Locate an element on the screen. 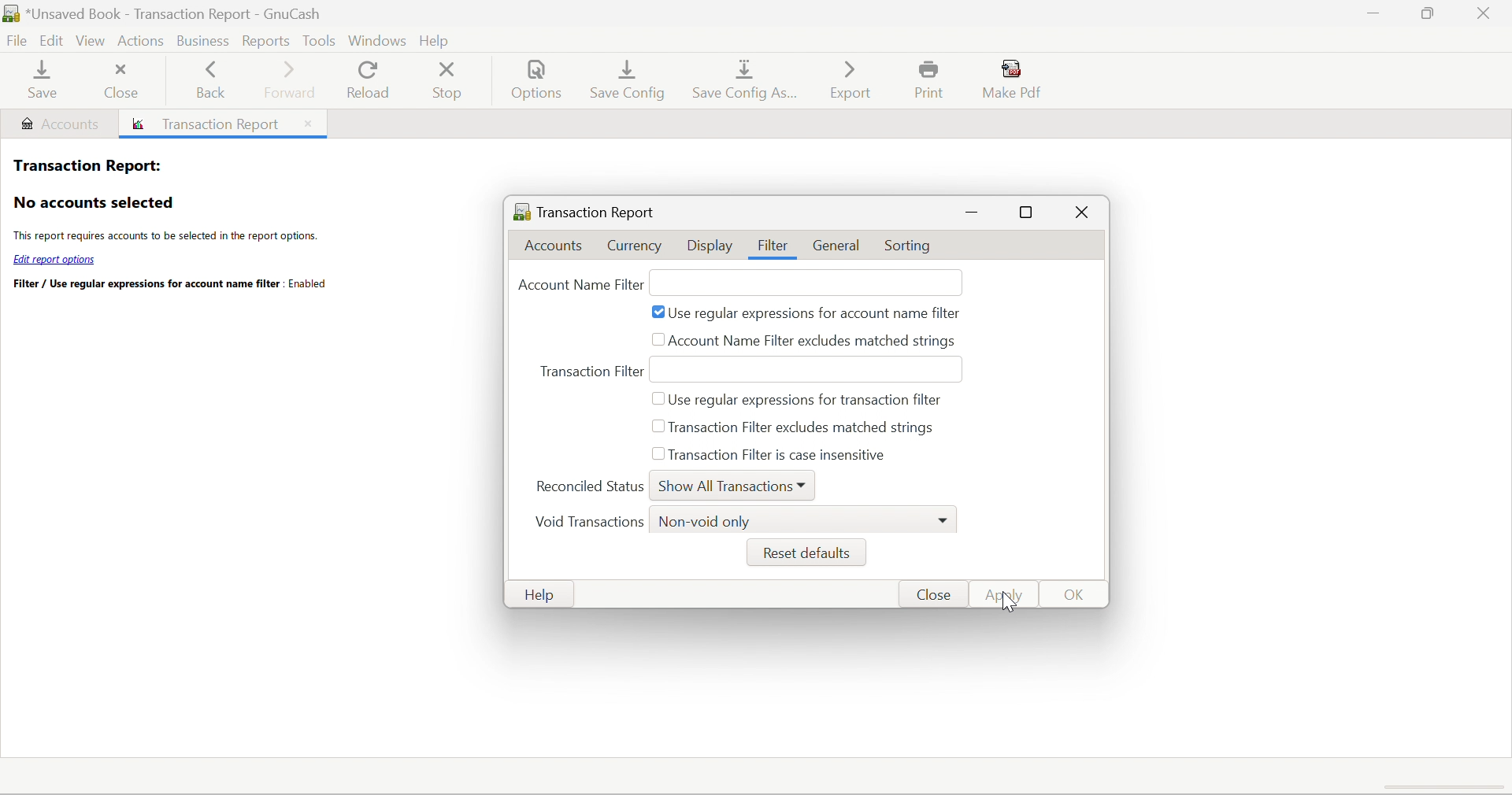 This screenshot has height=795, width=1512. Save config As... is located at coordinates (748, 82).